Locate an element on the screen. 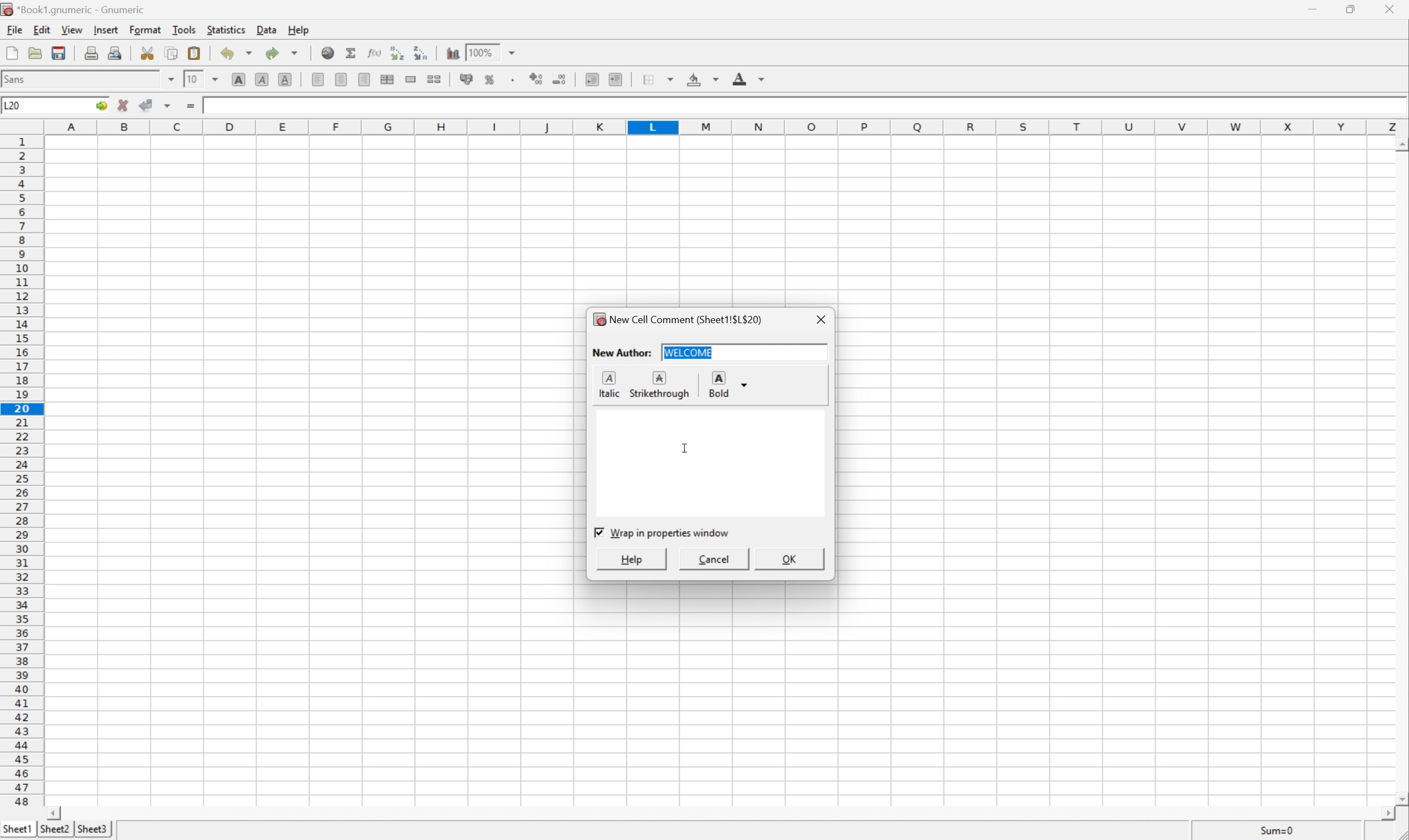 This screenshot has width=1409, height=840. Sheet1 is located at coordinates (19, 829).